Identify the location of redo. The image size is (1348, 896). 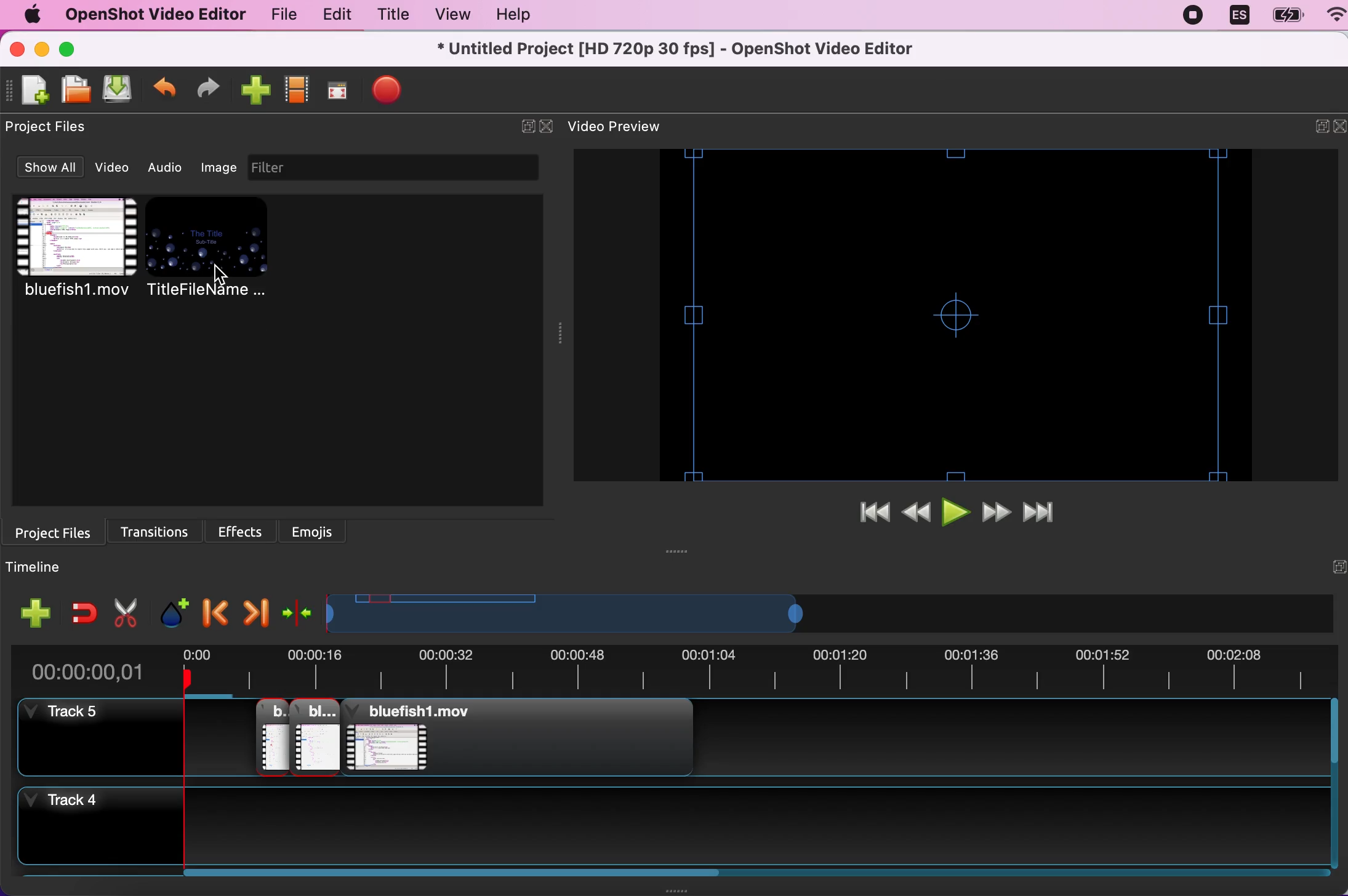
(208, 90).